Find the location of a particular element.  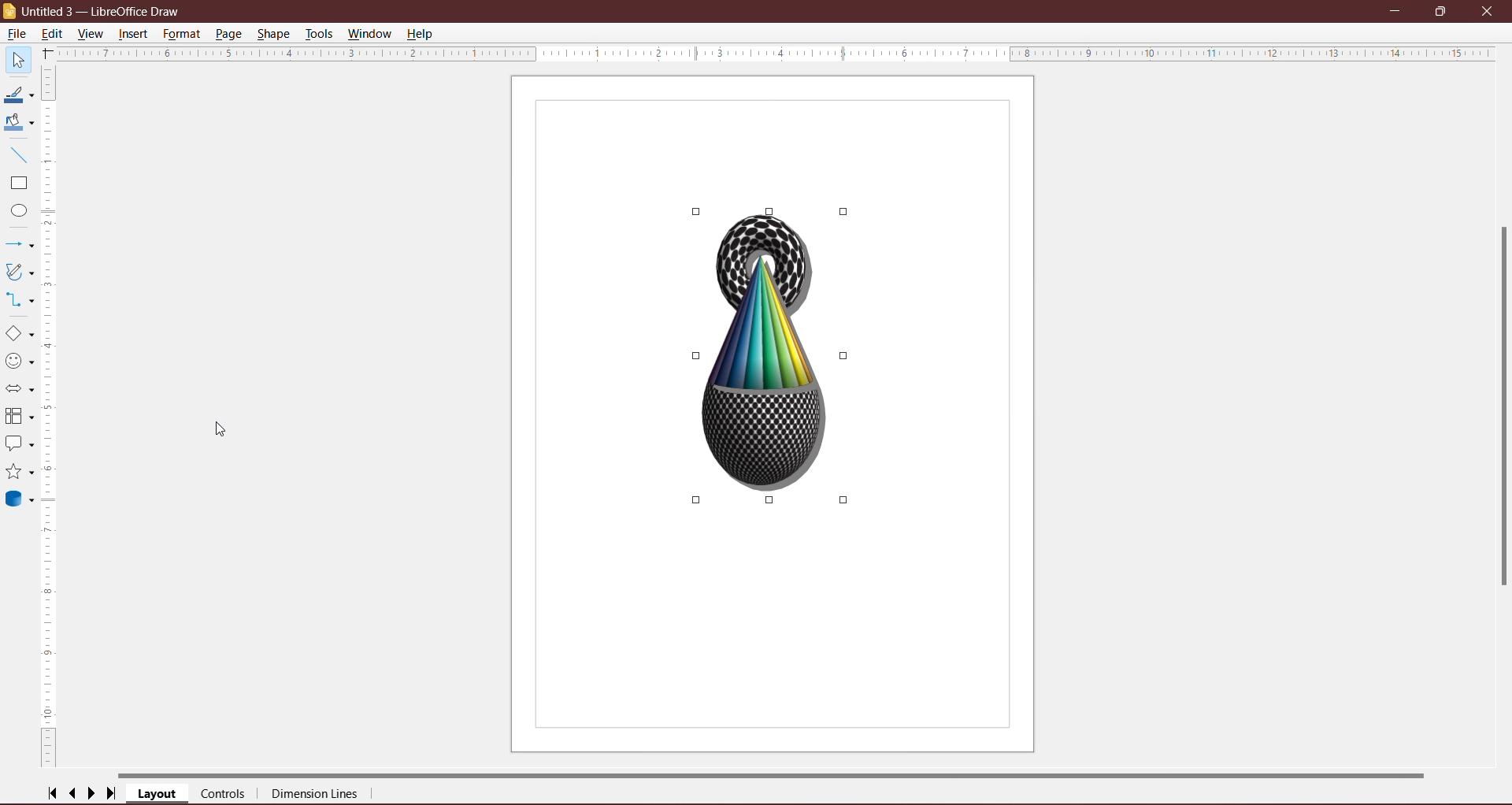

Line Color is located at coordinates (19, 95).